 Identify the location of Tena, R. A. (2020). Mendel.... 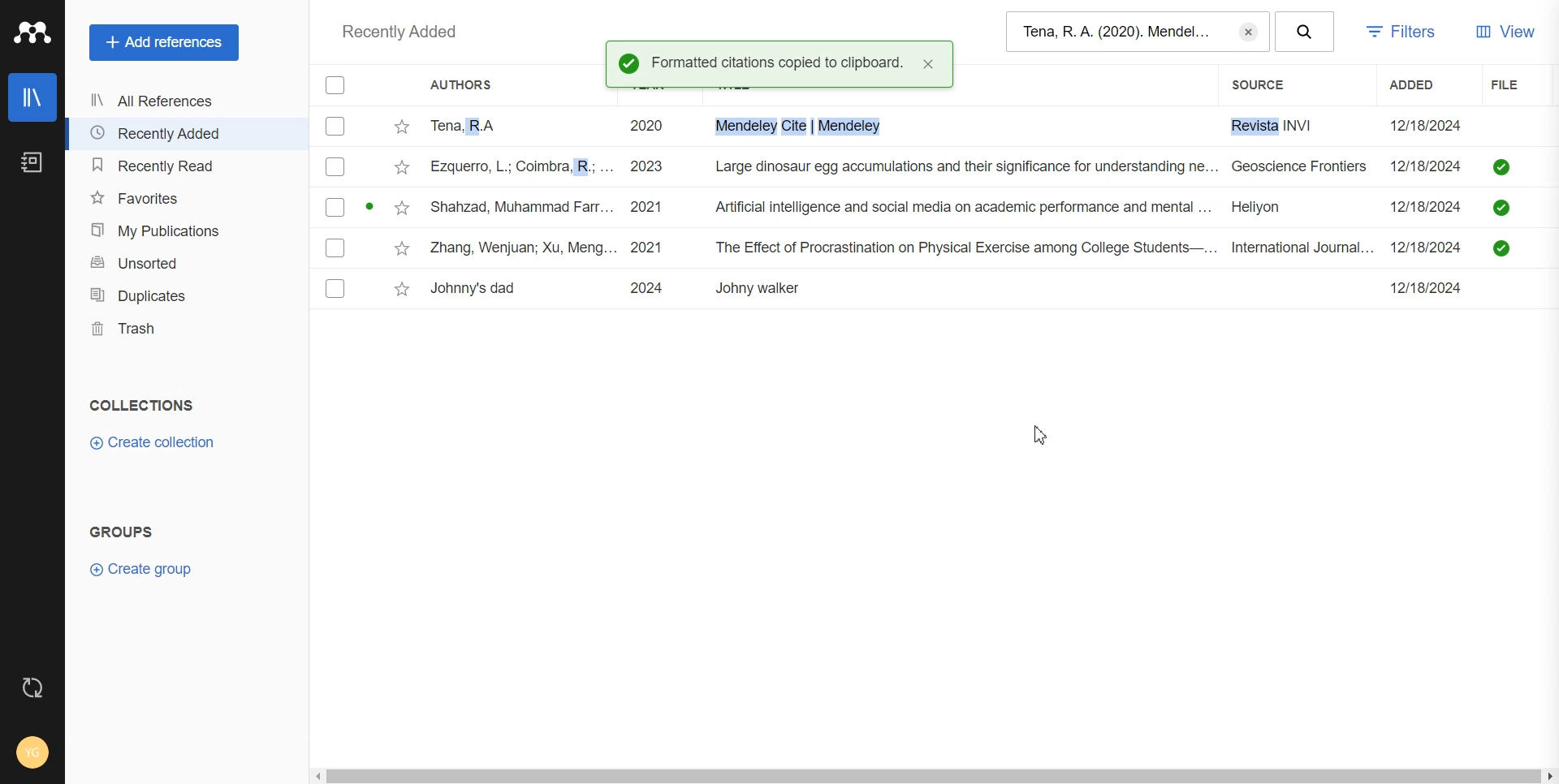
(1119, 32).